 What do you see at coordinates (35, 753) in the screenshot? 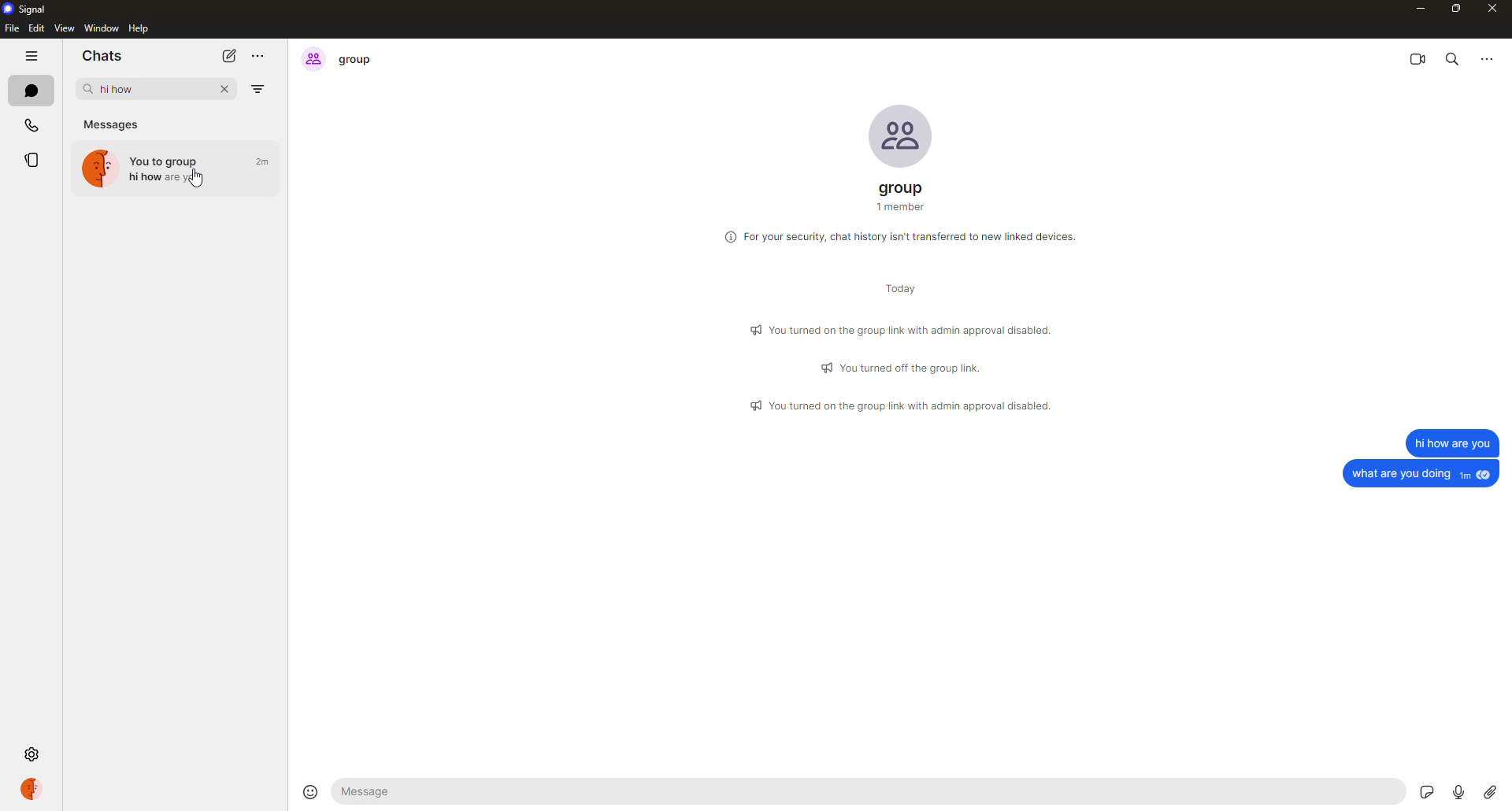
I see `settings` at bounding box center [35, 753].